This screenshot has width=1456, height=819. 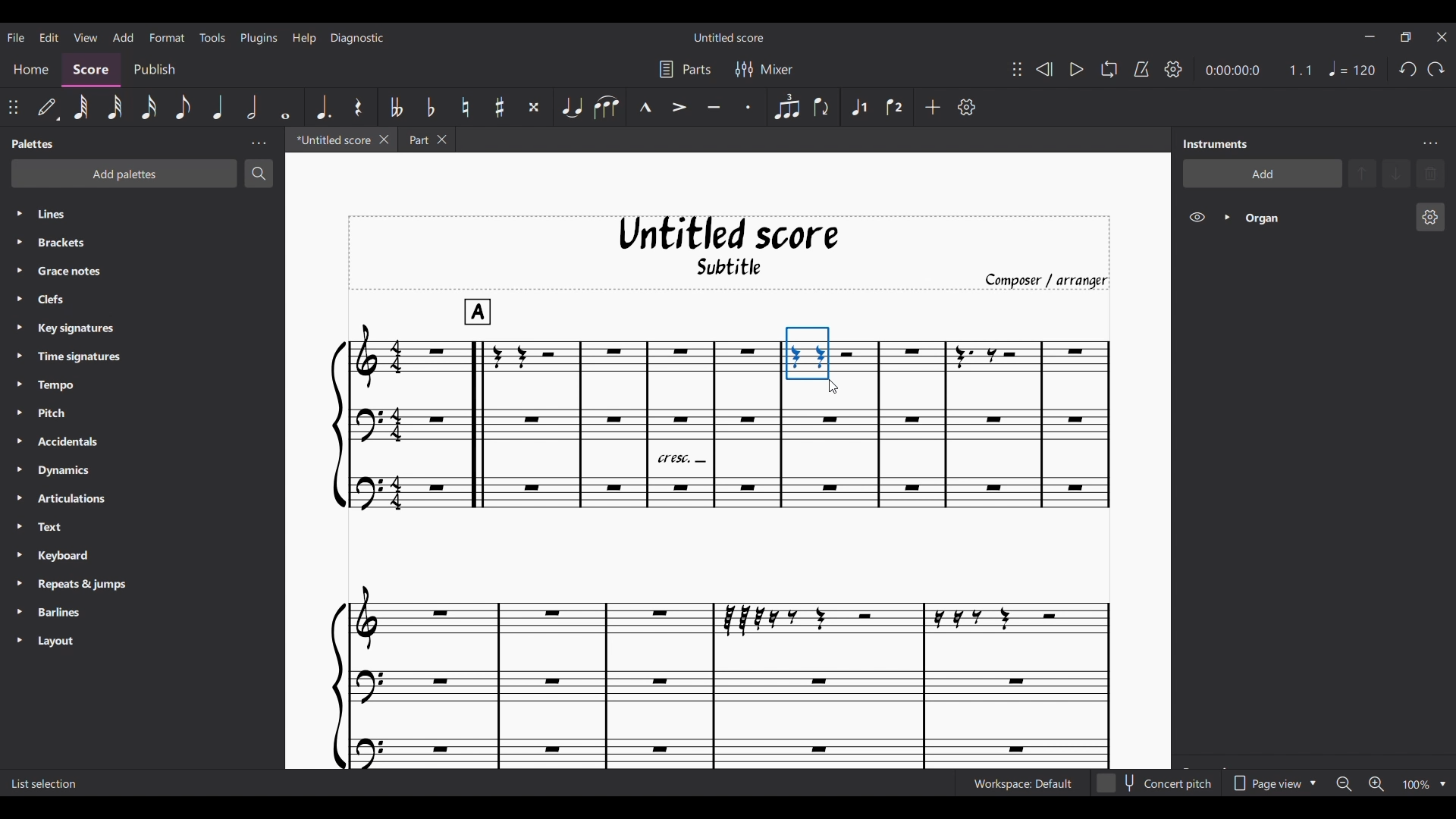 I want to click on File menu, so click(x=15, y=36).